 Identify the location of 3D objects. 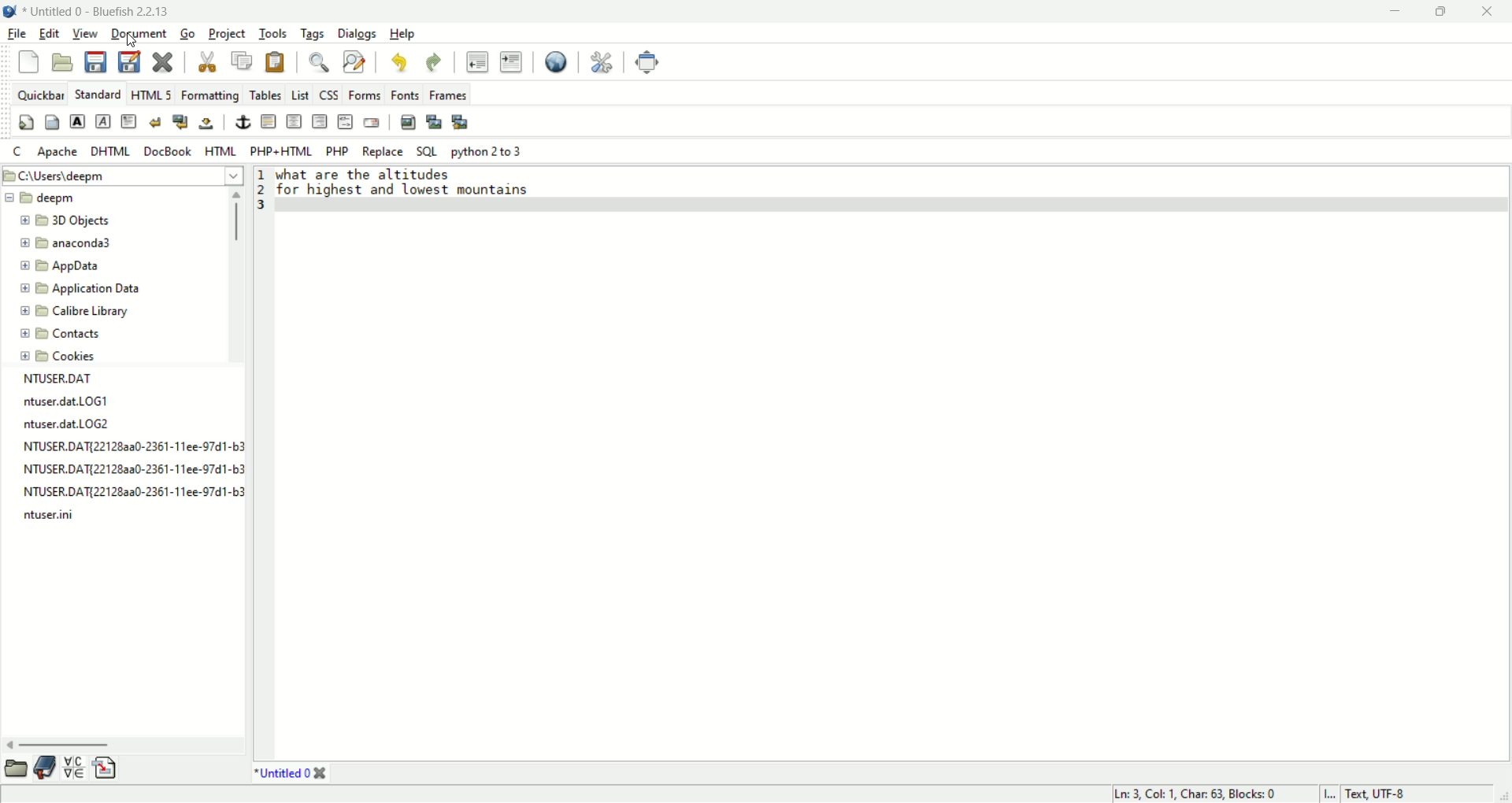
(66, 221).